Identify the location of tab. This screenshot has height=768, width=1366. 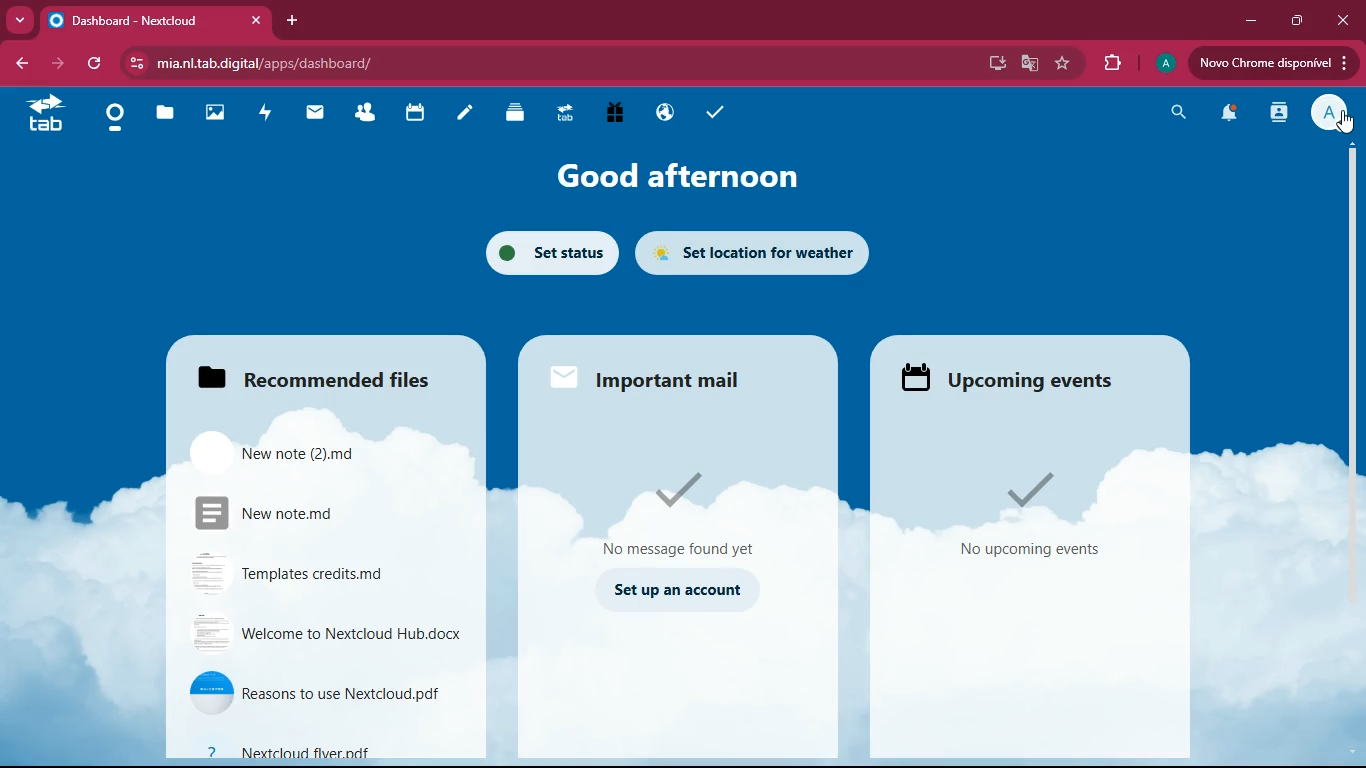
(563, 116).